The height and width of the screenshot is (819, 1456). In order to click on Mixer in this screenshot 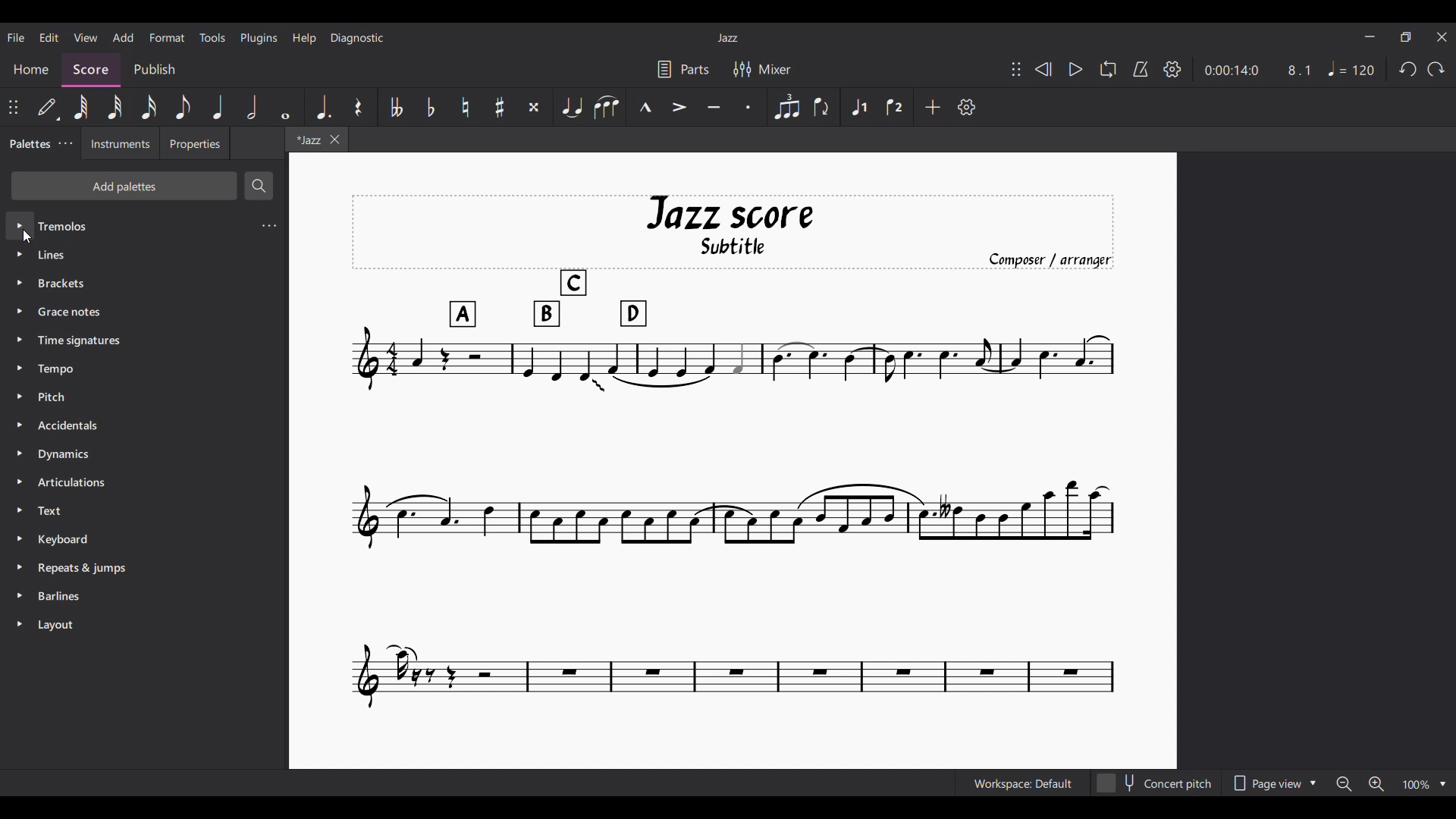, I will do `click(762, 69)`.